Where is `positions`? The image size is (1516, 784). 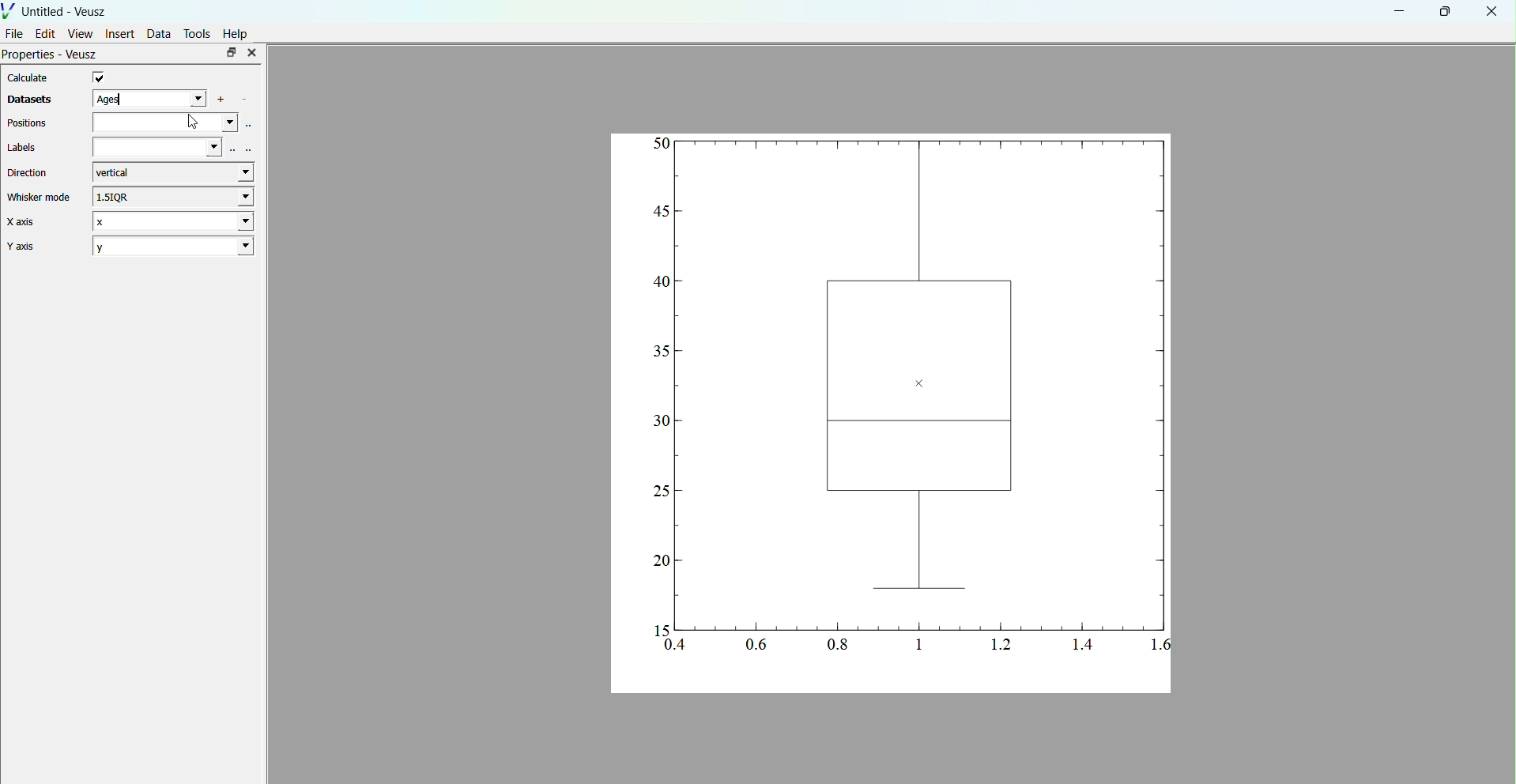 positions is located at coordinates (175, 124).